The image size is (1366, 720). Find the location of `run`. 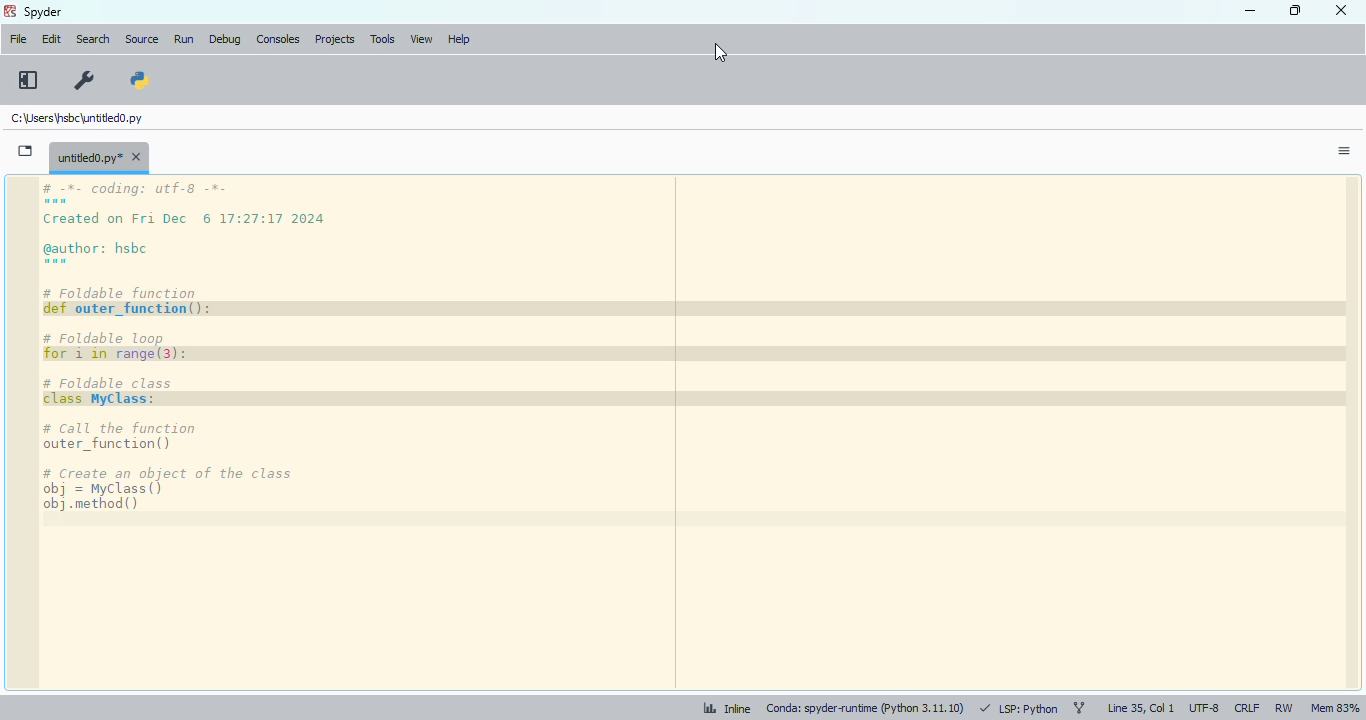

run is located at coordinates (184, 40).